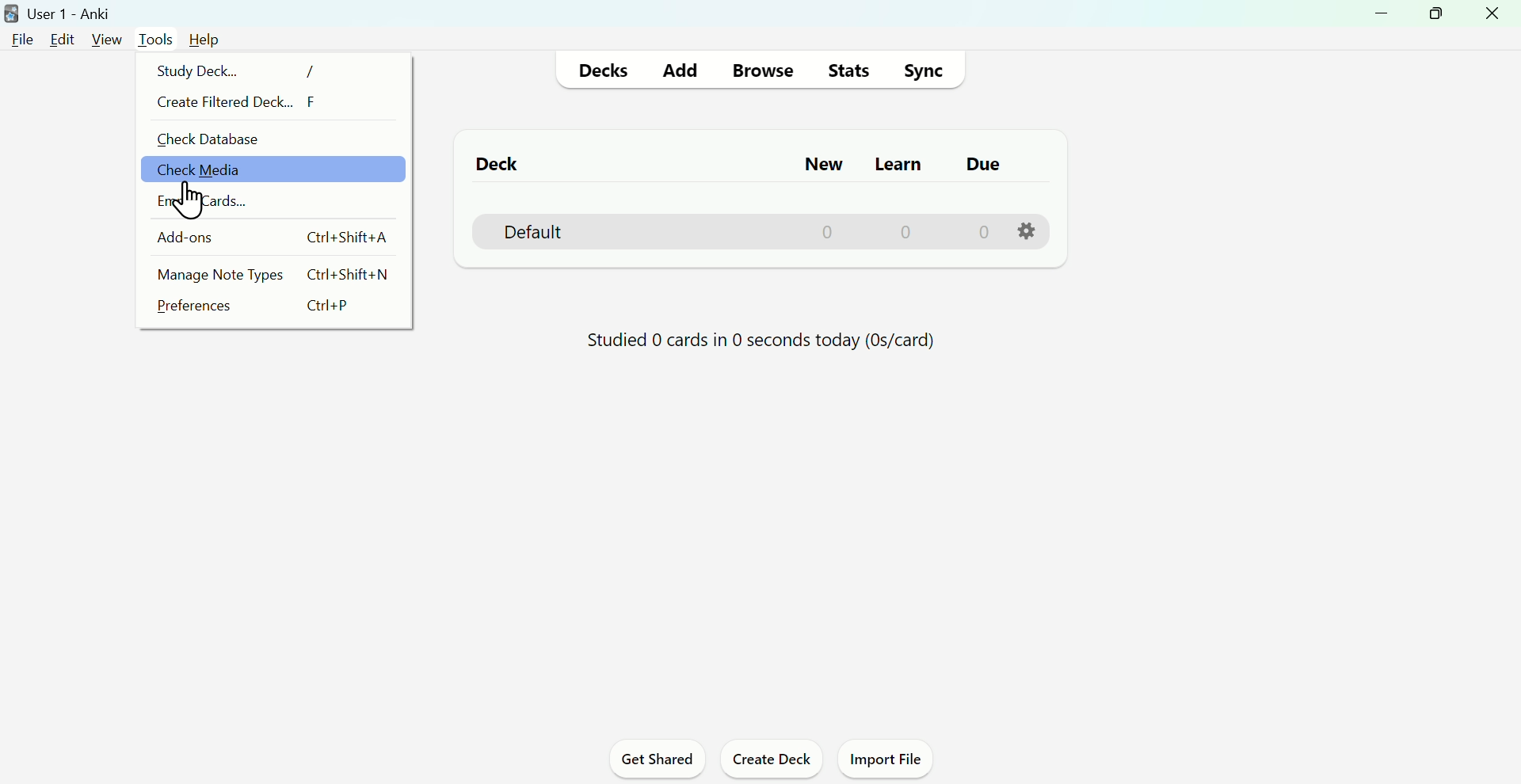  What do you see at coordinates (203, 170) in the screenshot?
I see `check media` at bounding box center [203, 170].